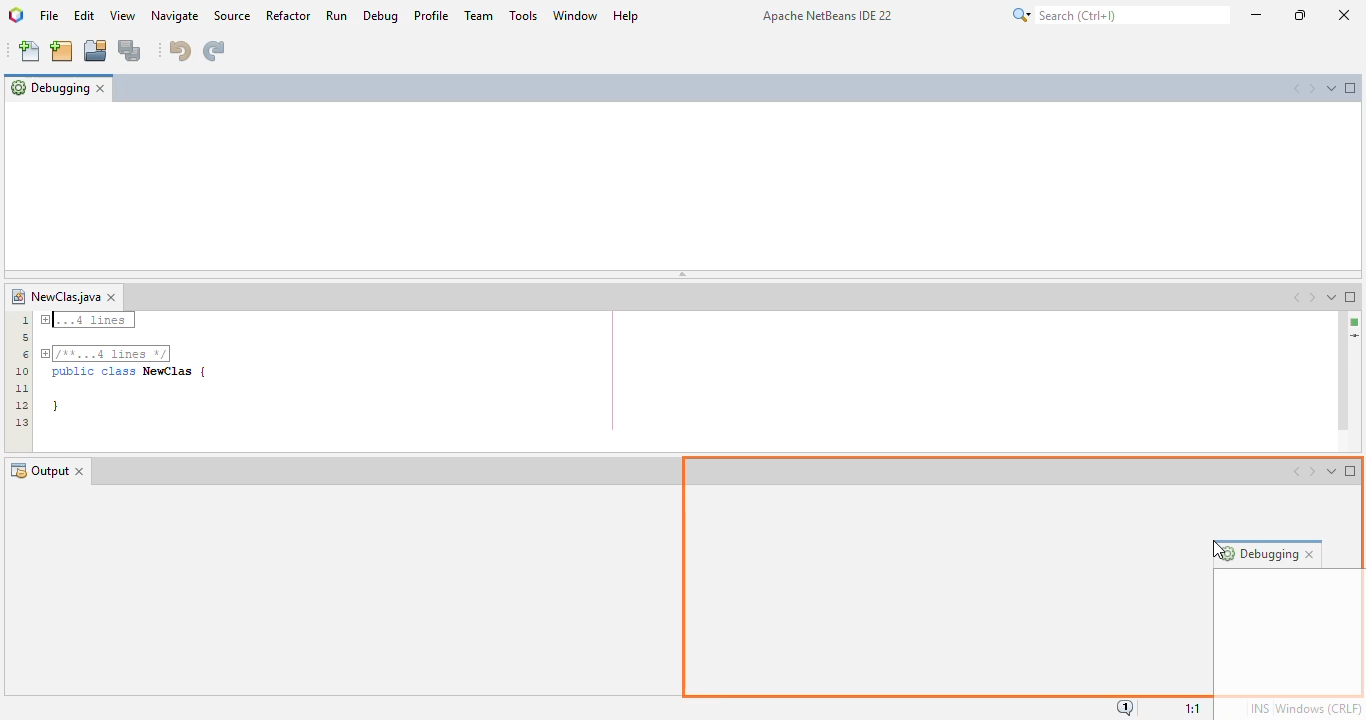 The height and width of the screenshot is (720, 1366). I want to click on show opened documents list, so click(1331, 87).